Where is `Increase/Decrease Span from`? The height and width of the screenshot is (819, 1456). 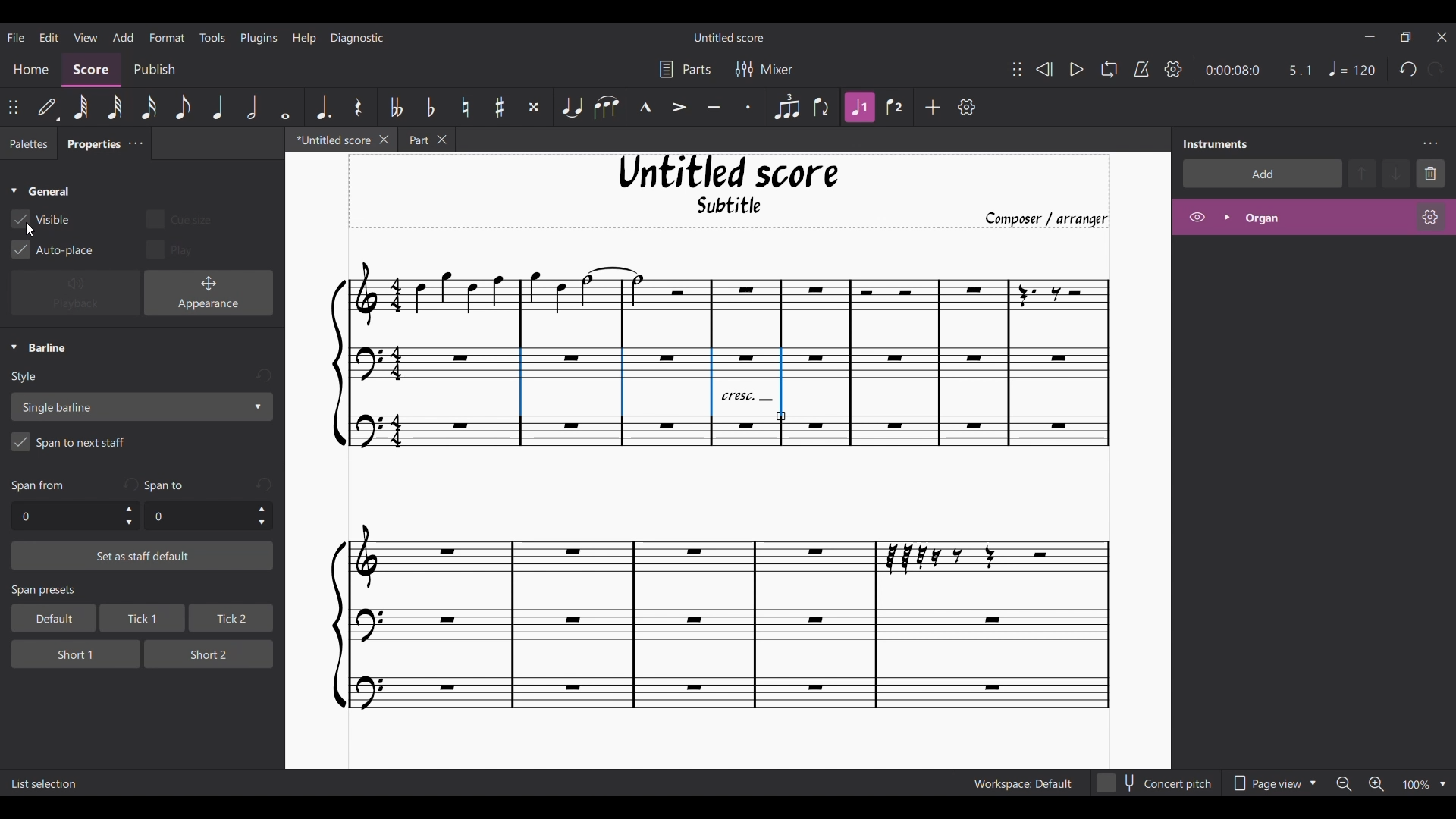
Increase/Decrease Span from is located at coordinates (130, 516).